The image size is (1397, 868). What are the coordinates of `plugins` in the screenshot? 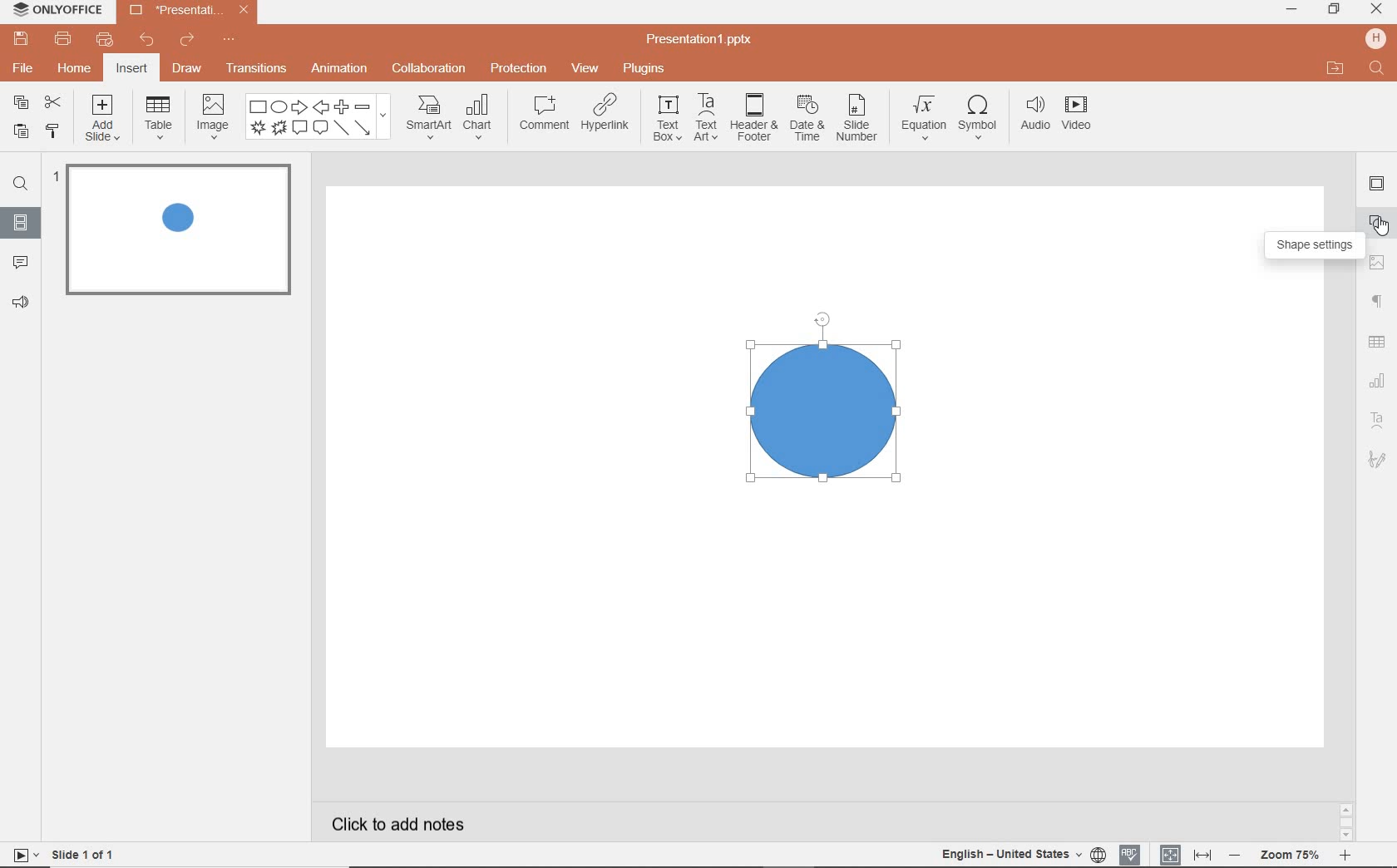 It's located at (645, 70).